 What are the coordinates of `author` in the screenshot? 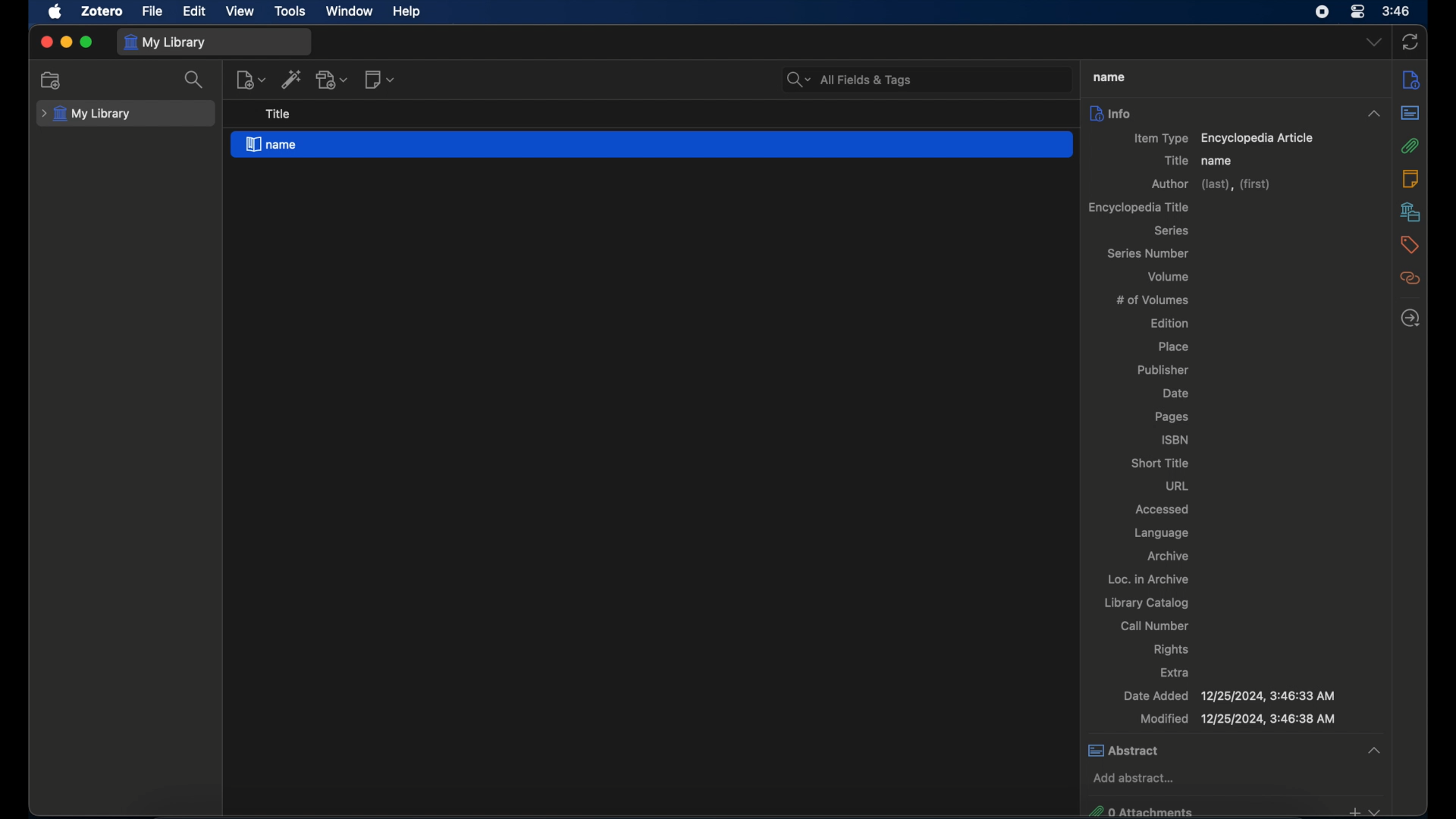 It's located at (1214, 185).